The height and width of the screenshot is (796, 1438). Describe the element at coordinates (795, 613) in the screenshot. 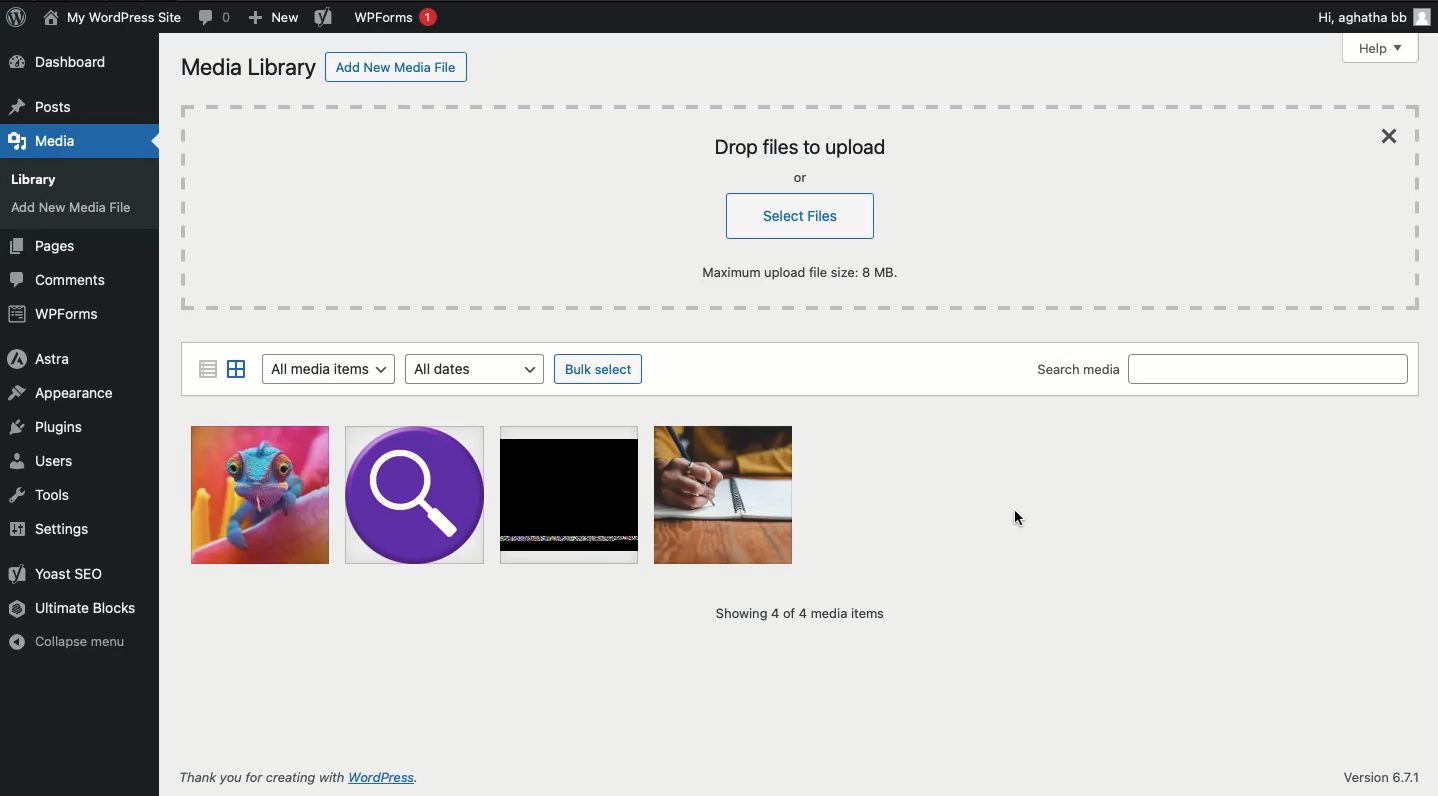

I see `Showing 4 of 4 media items` at that location.